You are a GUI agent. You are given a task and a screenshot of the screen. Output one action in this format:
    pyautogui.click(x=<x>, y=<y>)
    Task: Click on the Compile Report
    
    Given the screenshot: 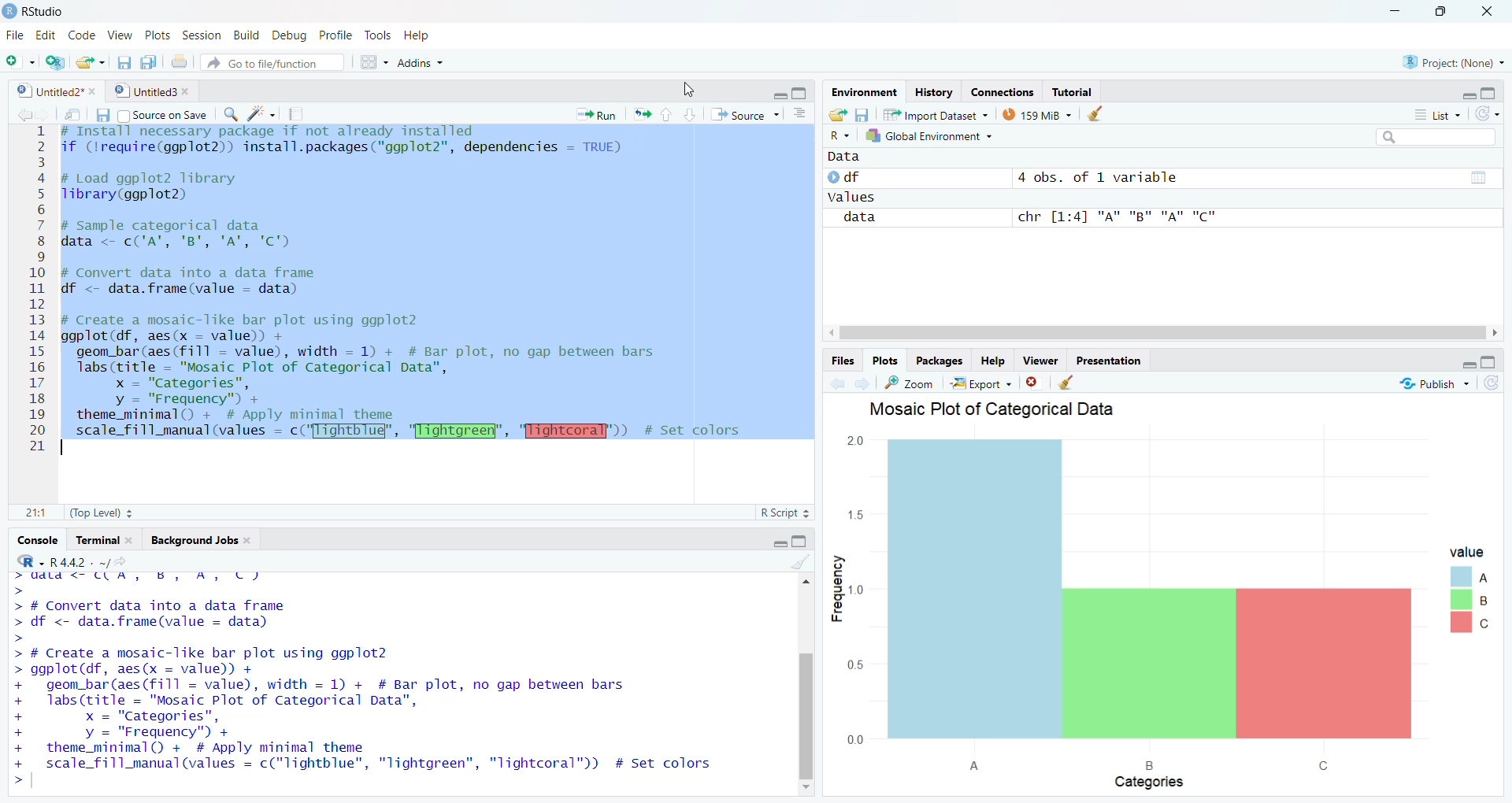 What is the action you would take?
    pyautogui.click(x=301, y=115)
    